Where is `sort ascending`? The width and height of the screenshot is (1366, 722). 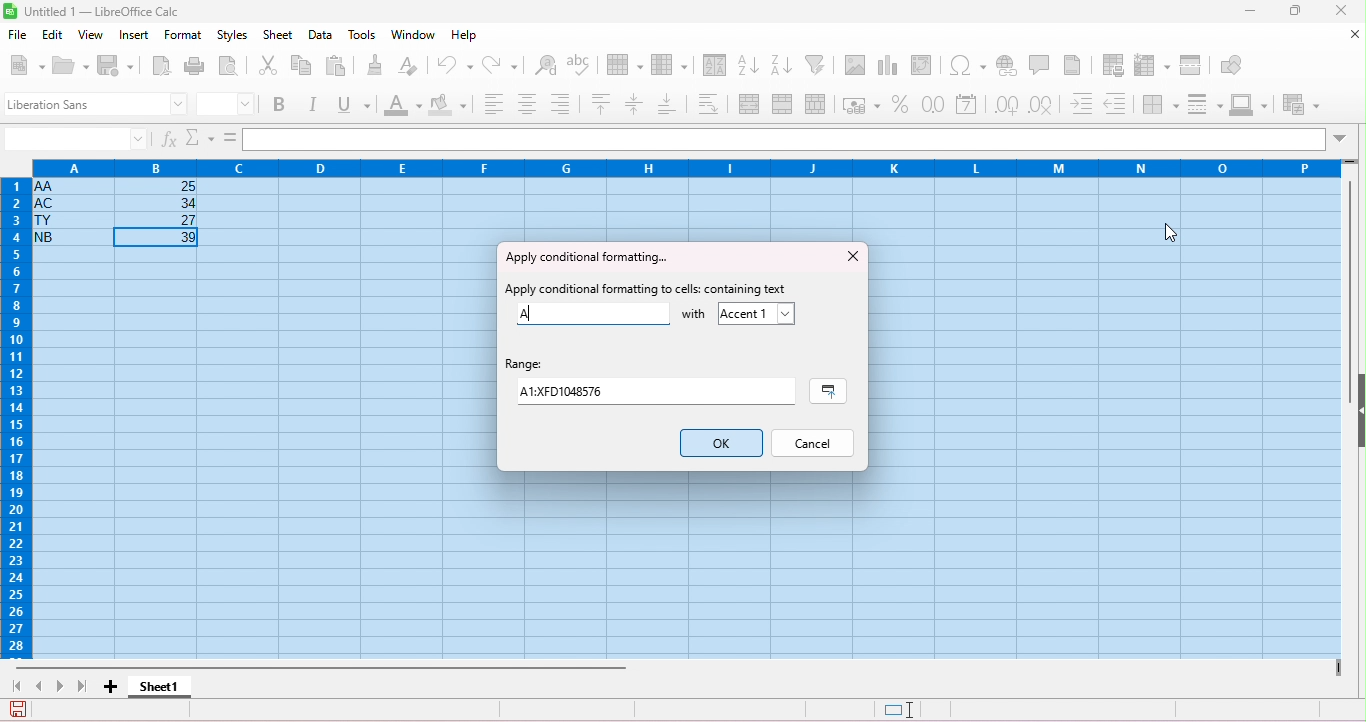
sort ascending is located at coordinates (749, 63).